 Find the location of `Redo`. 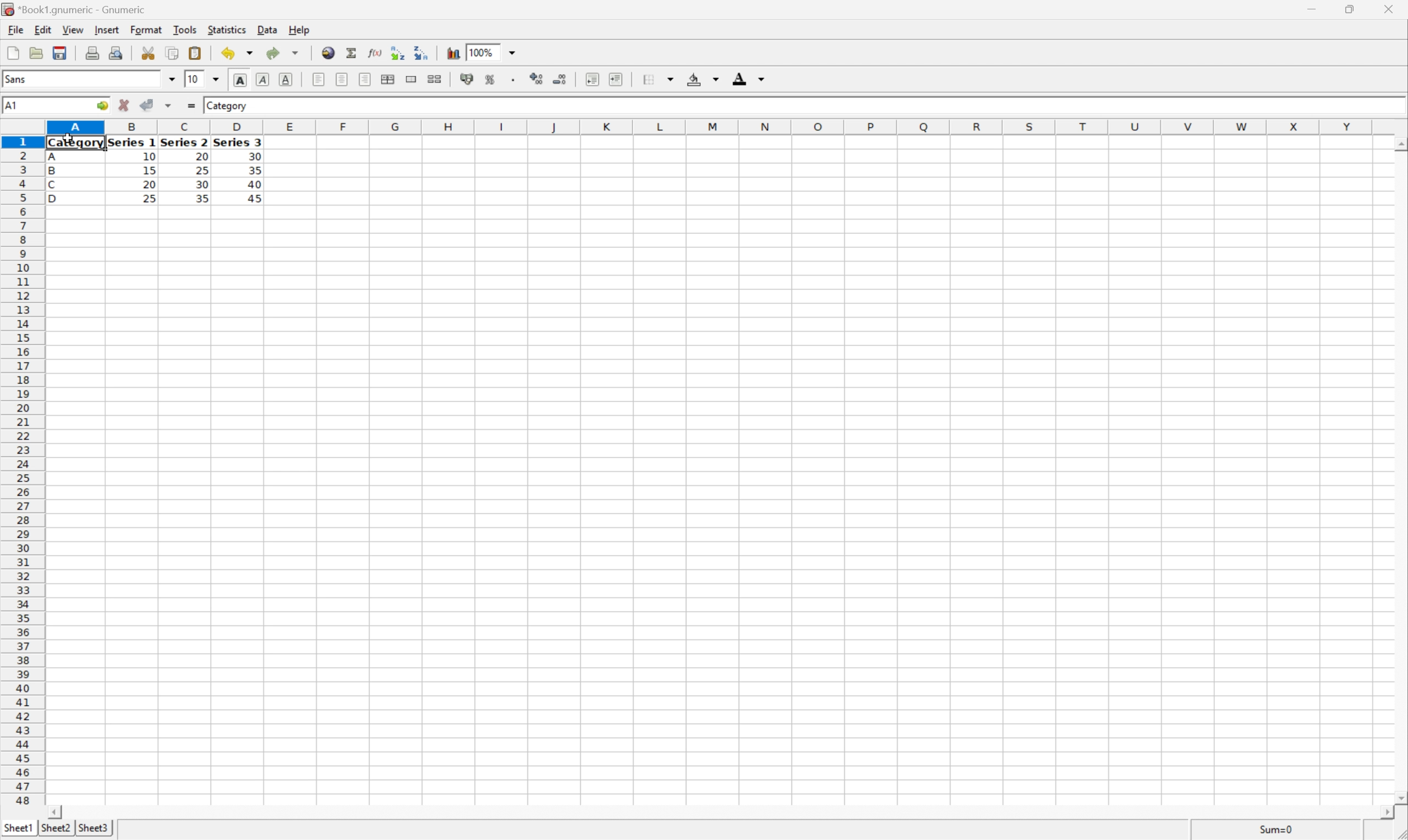

Redo is located at coordinates (281, 52).